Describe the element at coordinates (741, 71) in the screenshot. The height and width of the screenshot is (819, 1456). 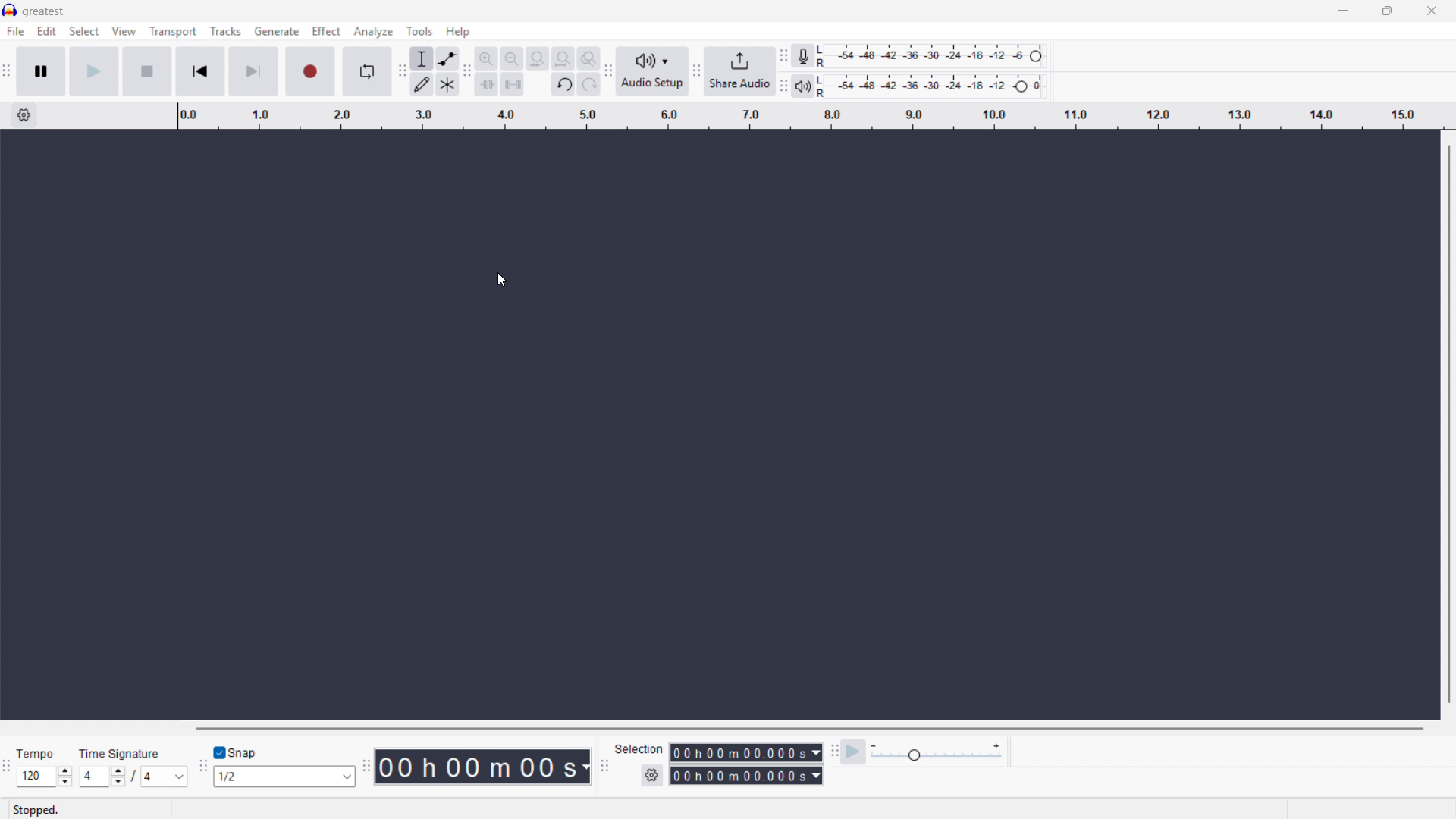
I see `share audio` at that location.